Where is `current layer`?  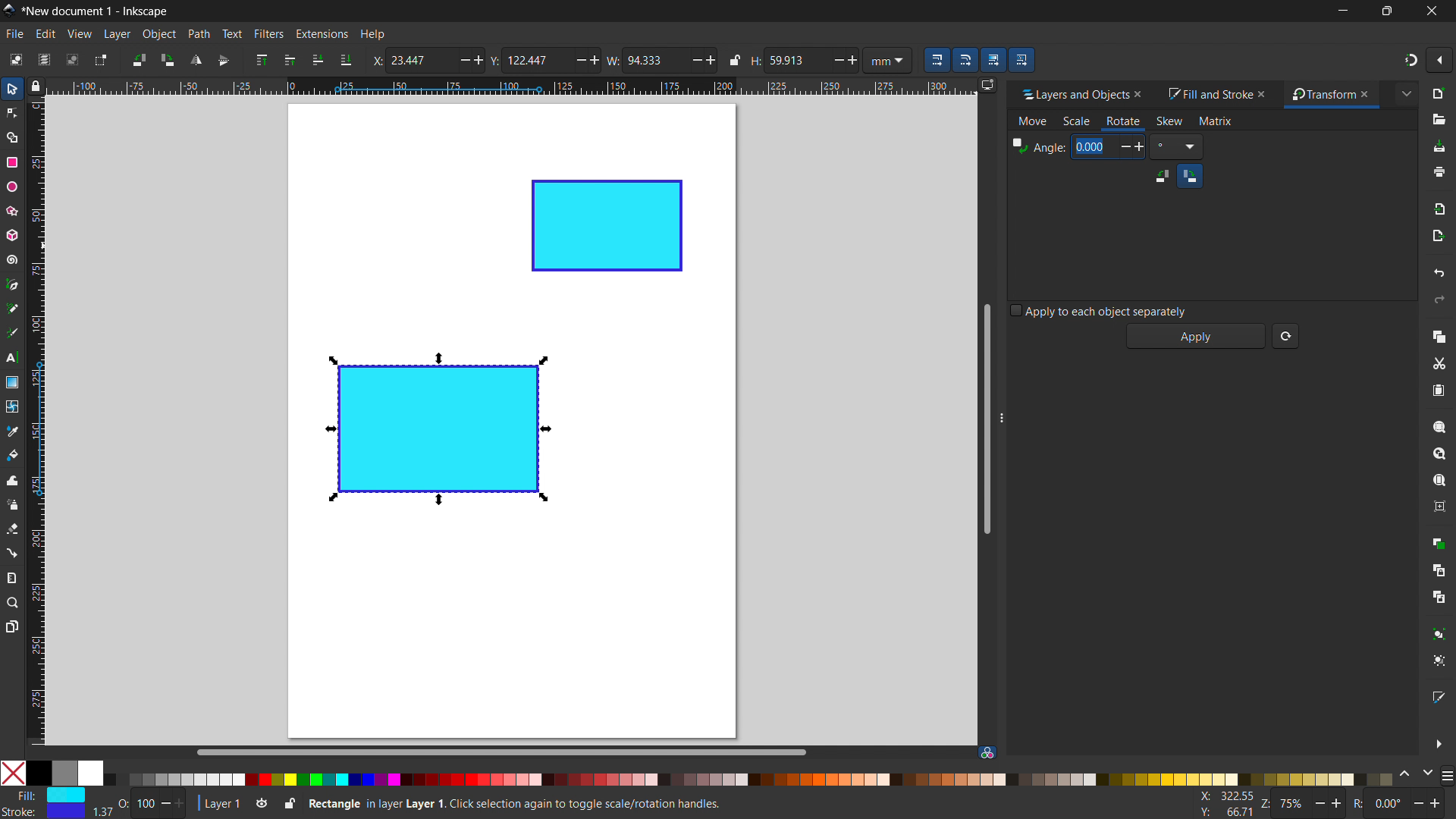 current layer is located at coordinates (218, 804).